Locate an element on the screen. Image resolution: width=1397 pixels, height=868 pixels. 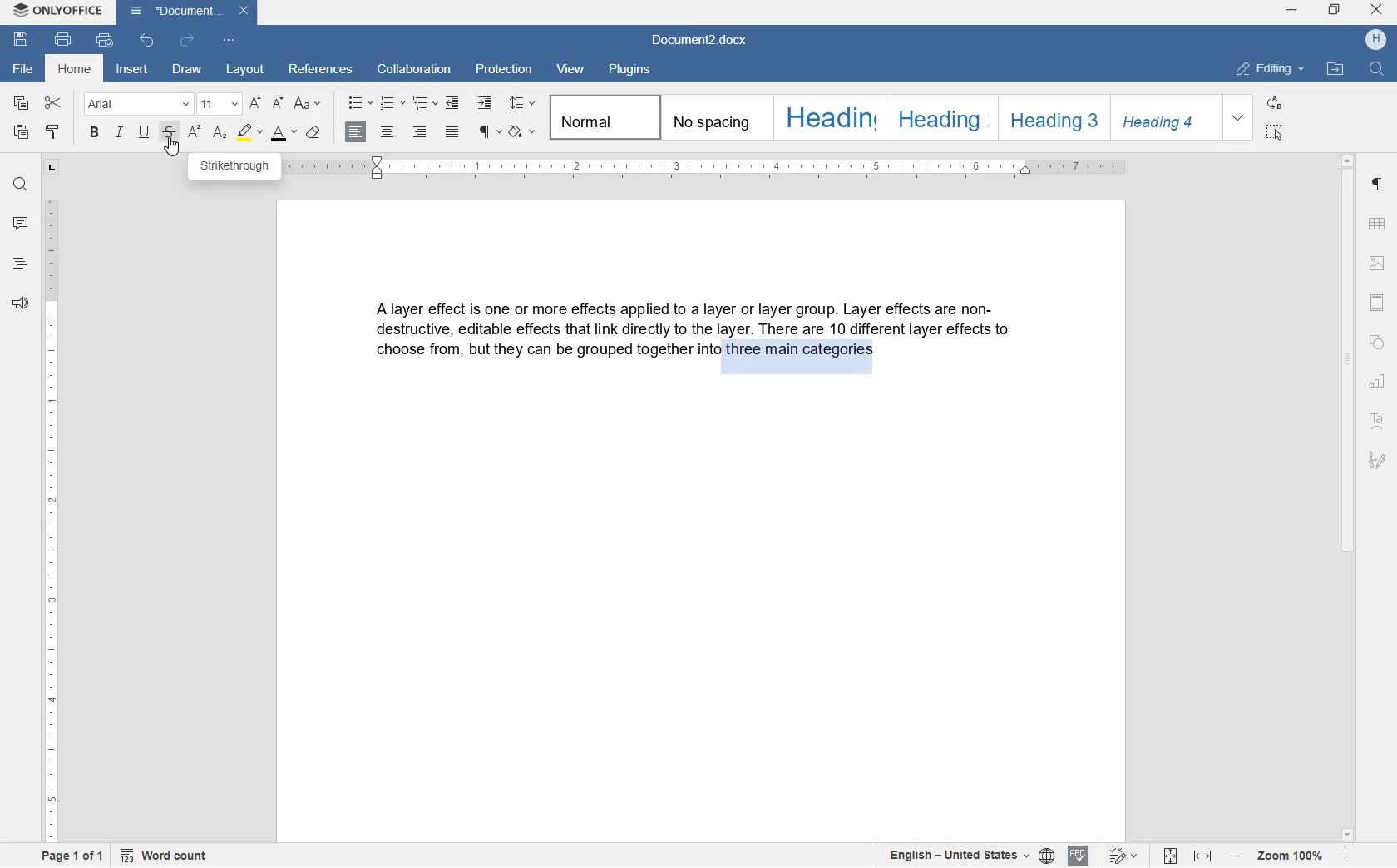
replace is located at coordinates (1276, 104).